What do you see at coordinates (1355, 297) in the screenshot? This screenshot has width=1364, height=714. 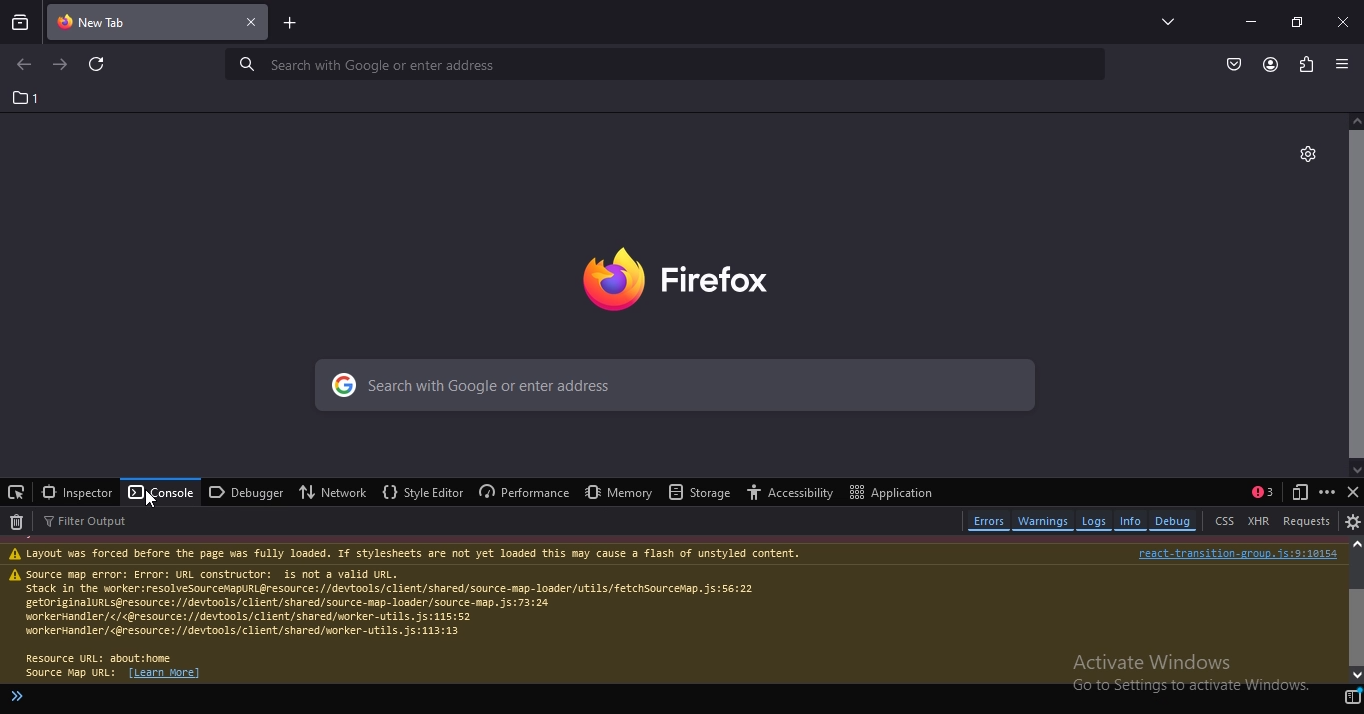 I see `scroll bar` at bounding box center [1355, 297].